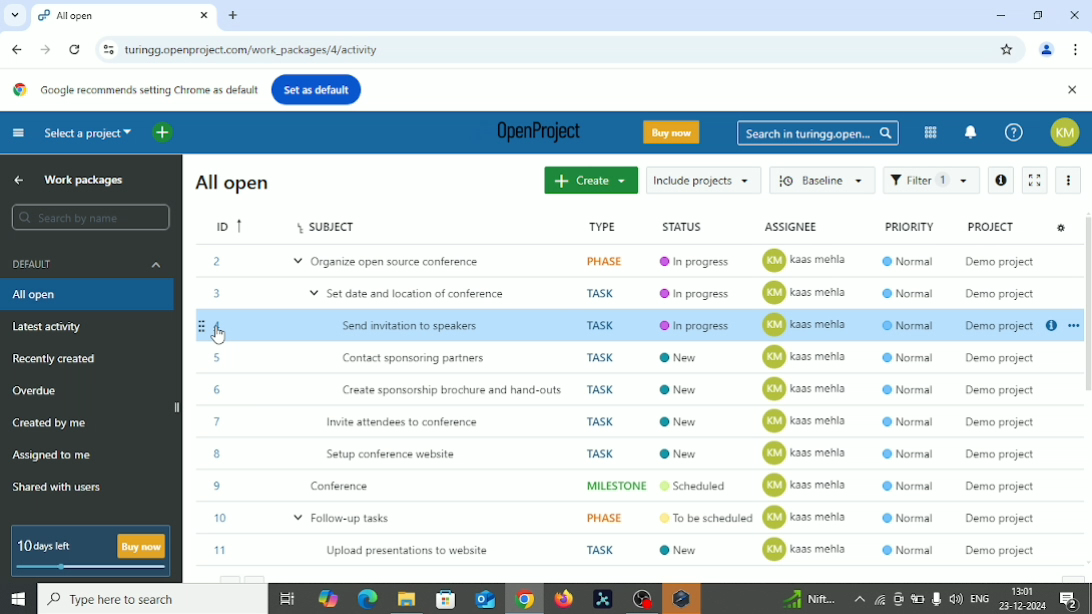  Describe the element at coordinates (807, 599) in the screenshot. I see `Sensex` at that location.